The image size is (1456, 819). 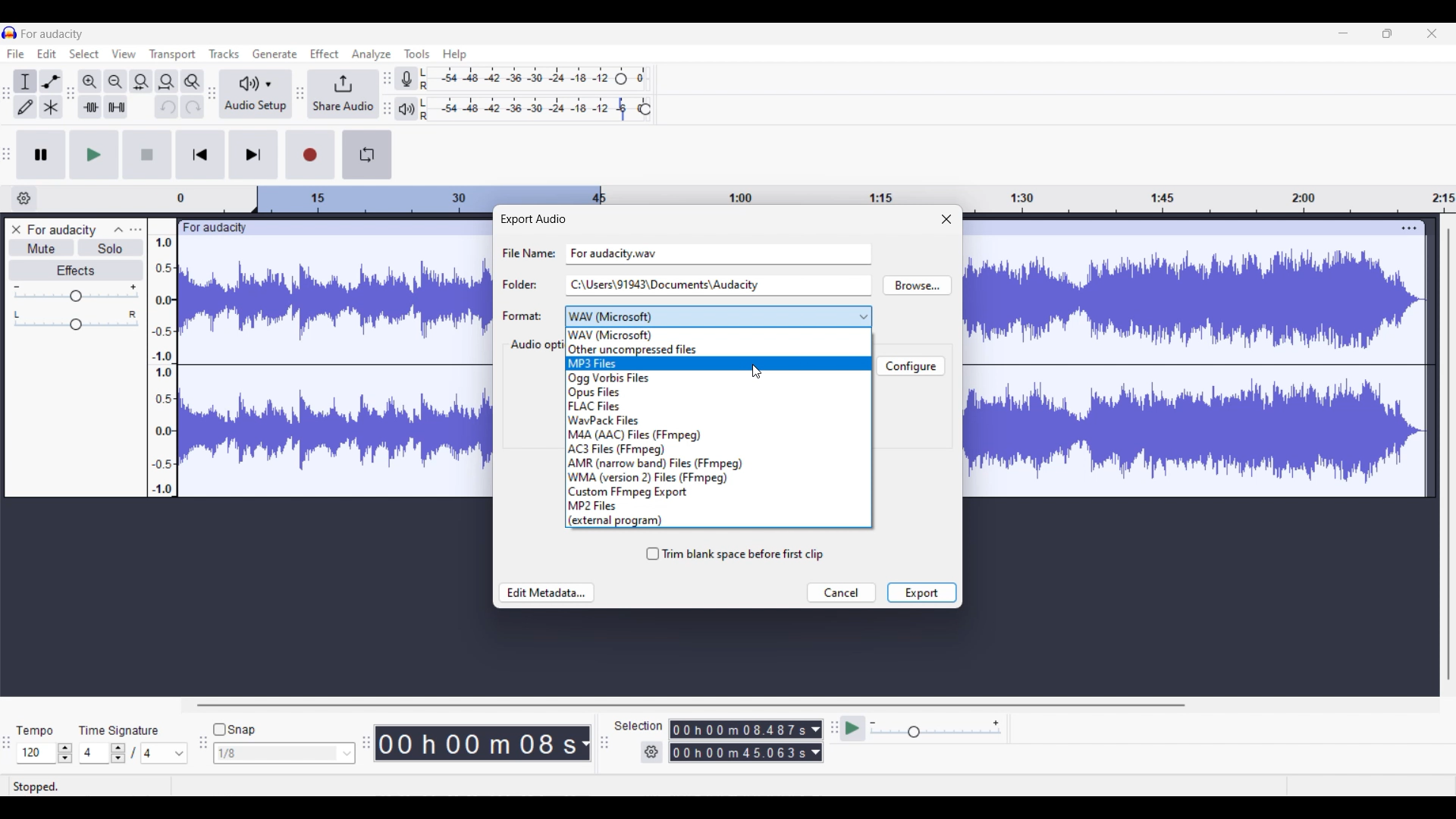 What do you see at coordinates (910, 366) in the screenshot?
I see `Configure` at bounding box center [910, 366].